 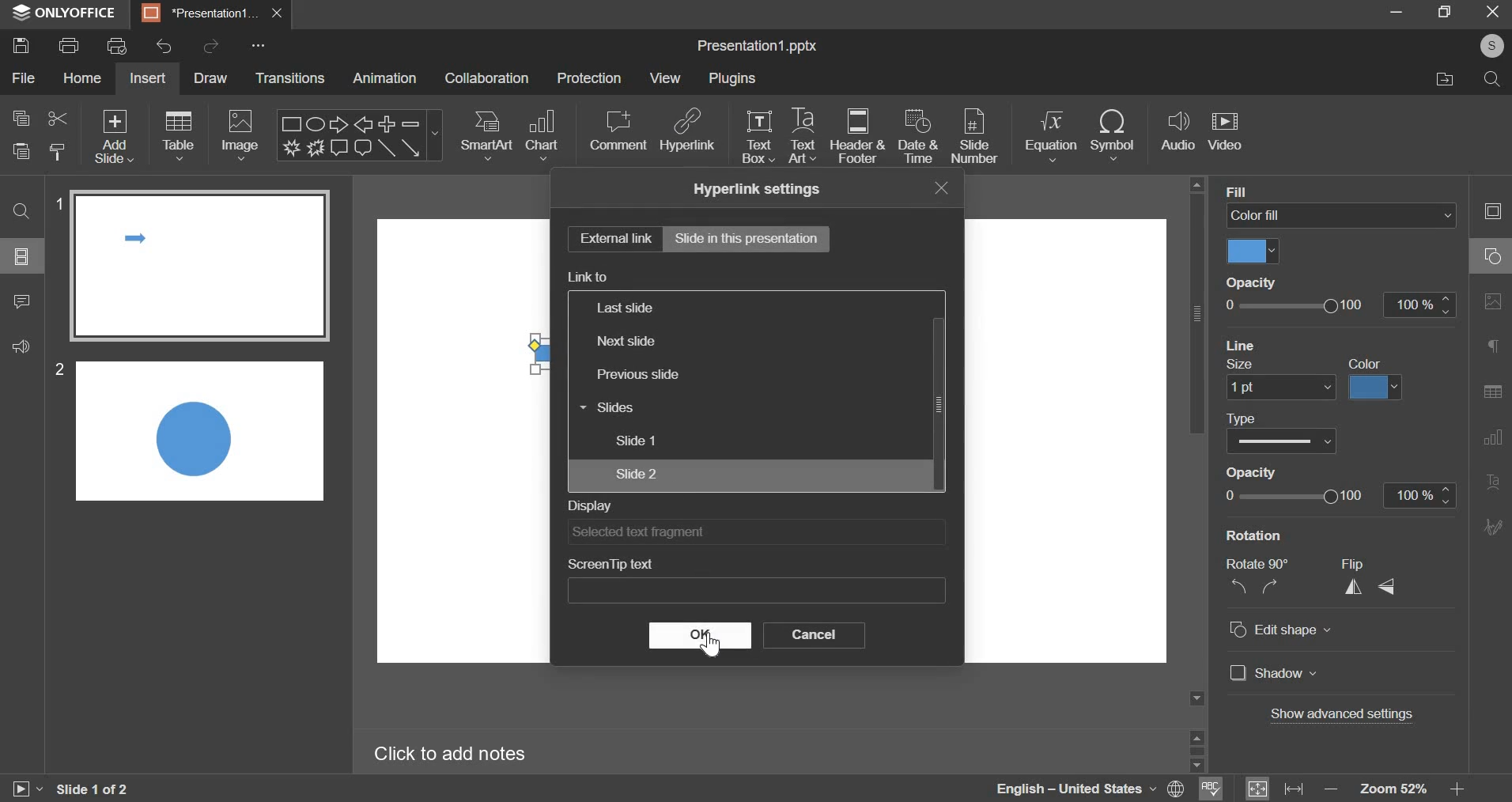 What do you see at coordinates (1399, 11) in the screenshot?
I see `minimize` at bounding box center [1399, 11].